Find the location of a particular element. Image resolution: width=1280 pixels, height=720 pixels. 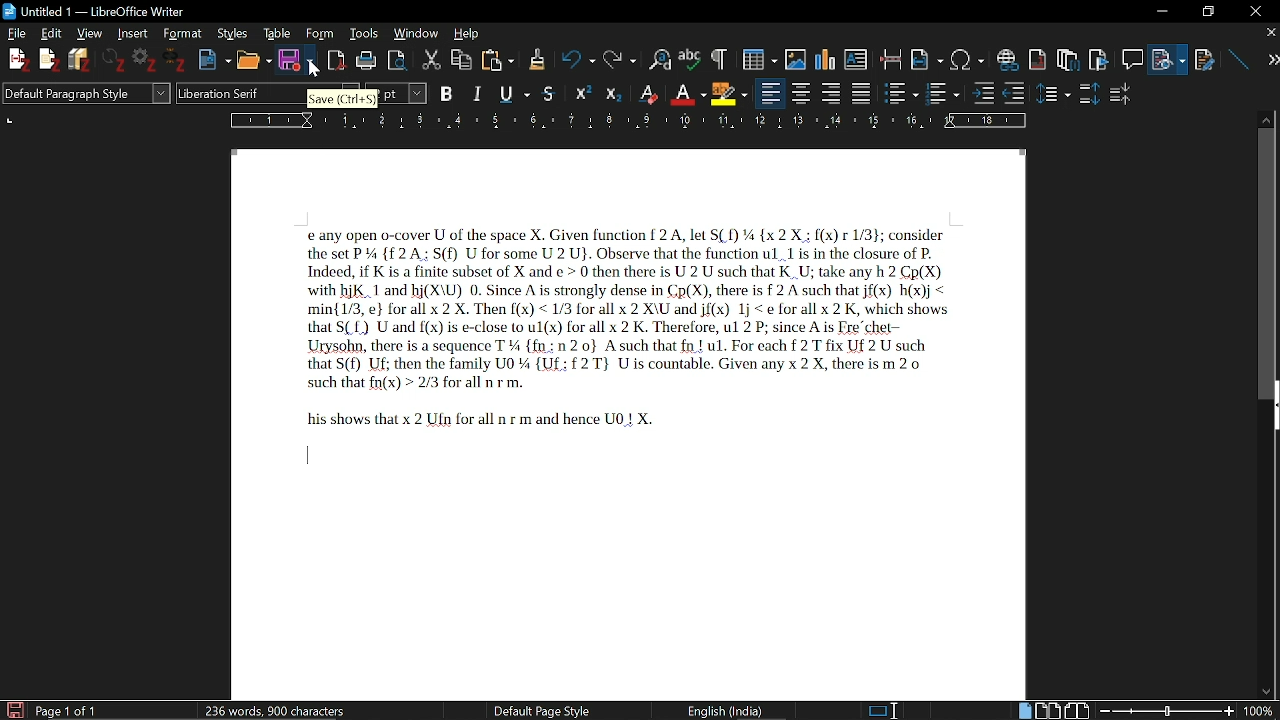

Insert footnote is located at coordinates (1067, 56).